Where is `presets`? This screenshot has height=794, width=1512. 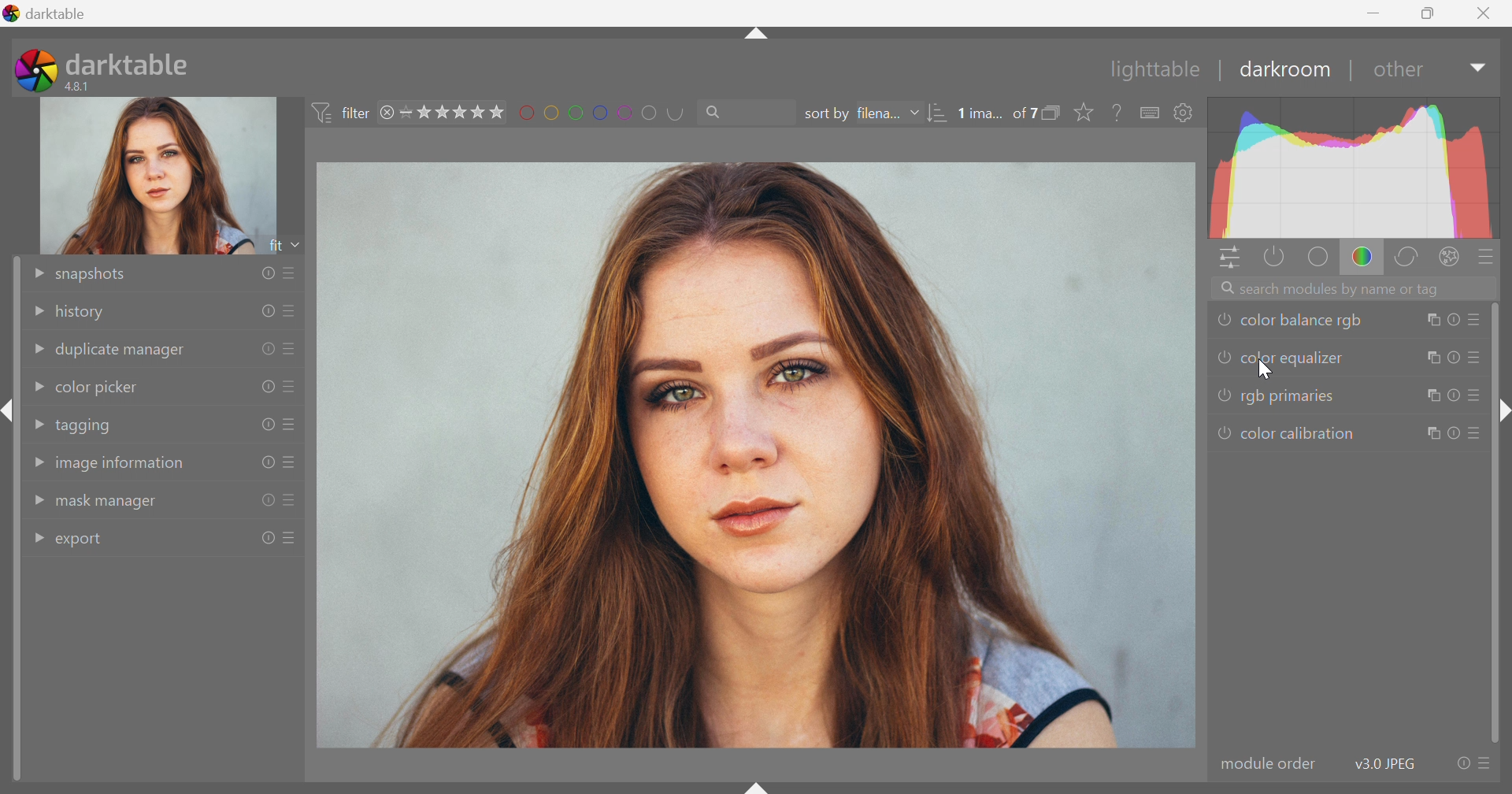
presets is located at coordinates (1475, 321).